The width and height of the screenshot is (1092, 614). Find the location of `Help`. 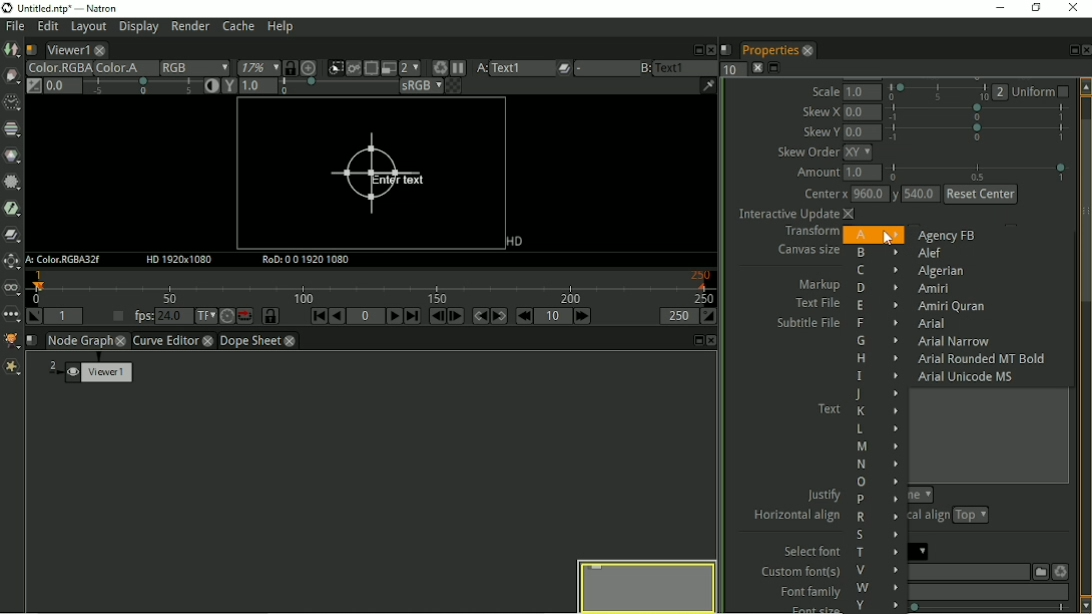

Help is located at coordinates (282, 27).